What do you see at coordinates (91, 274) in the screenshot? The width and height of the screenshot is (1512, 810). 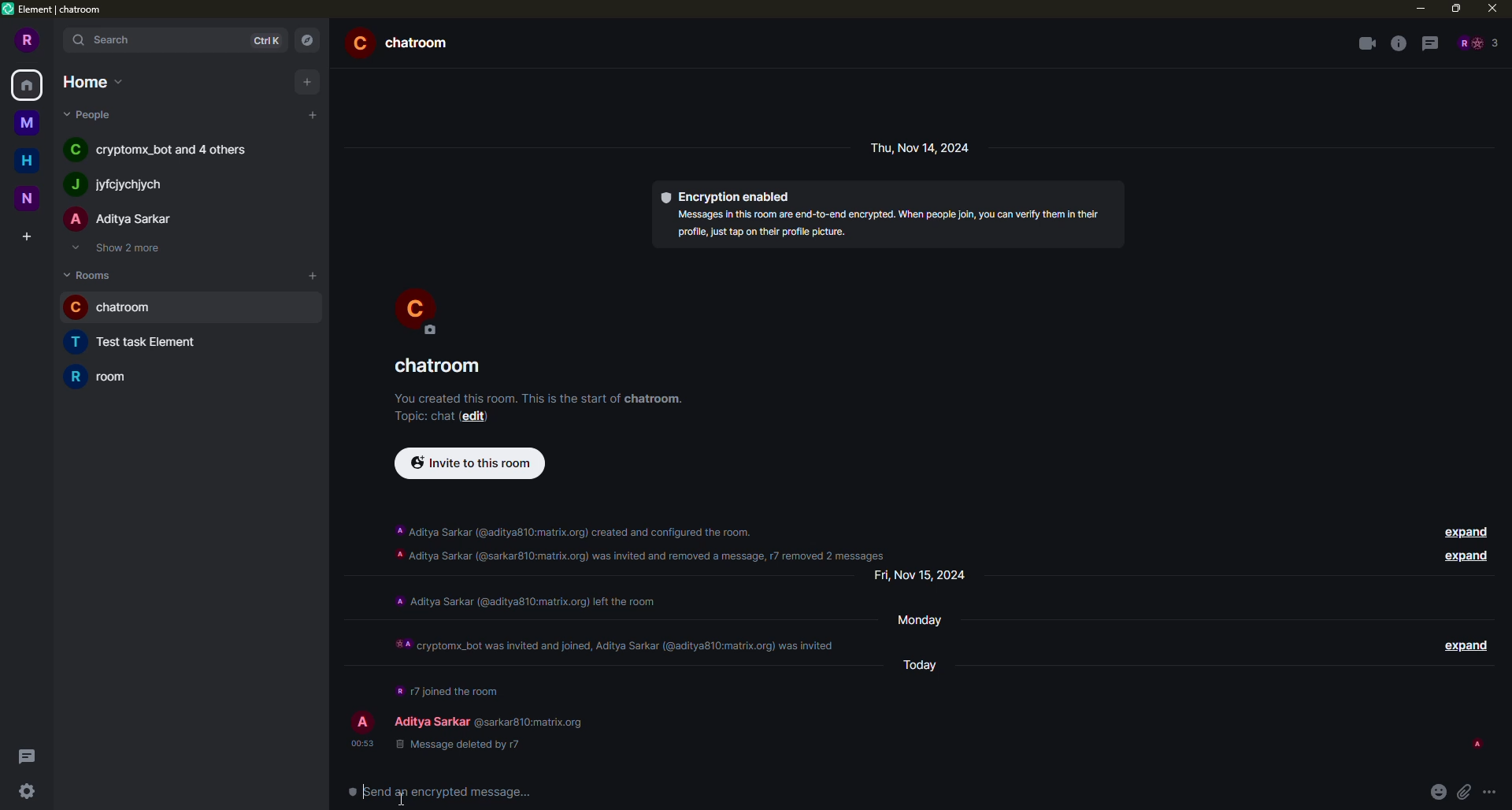 I see `rooms` at bounding box center [91, 274].